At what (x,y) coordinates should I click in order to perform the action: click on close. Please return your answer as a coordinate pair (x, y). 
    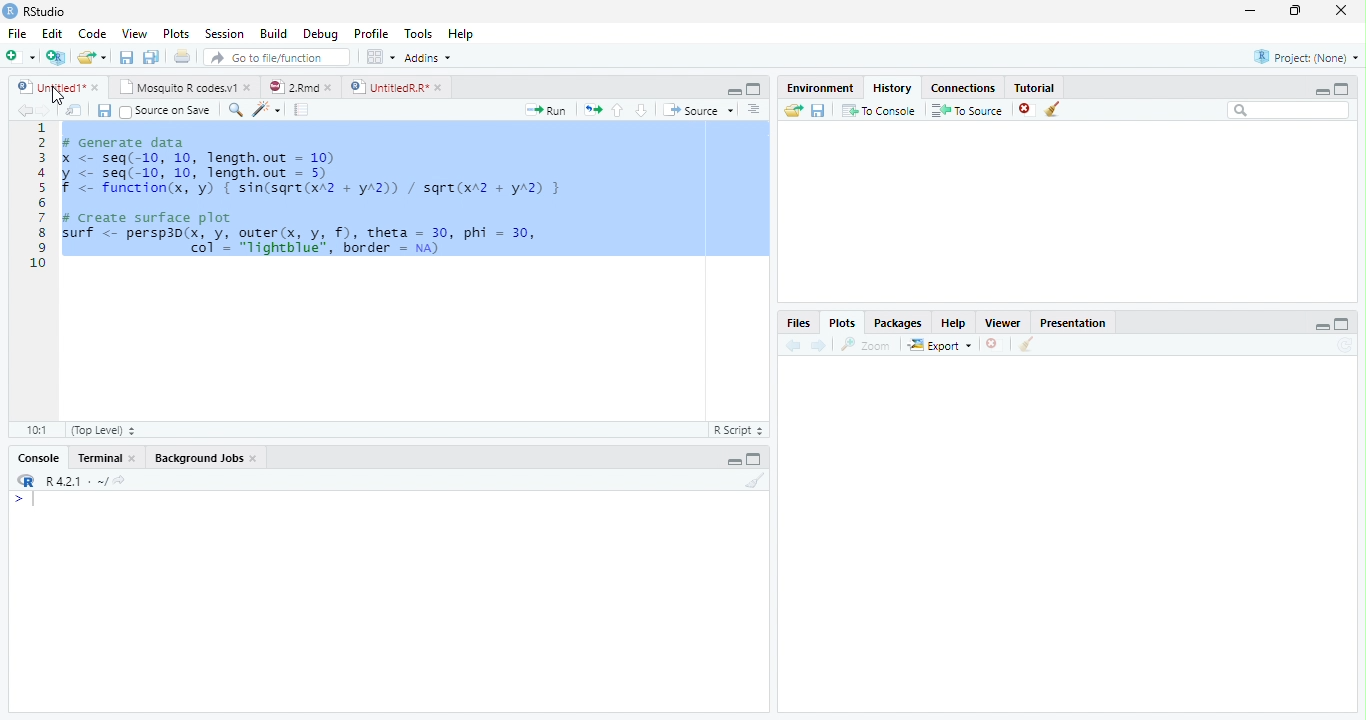
    Looking at the image, I should click on (438, 87).